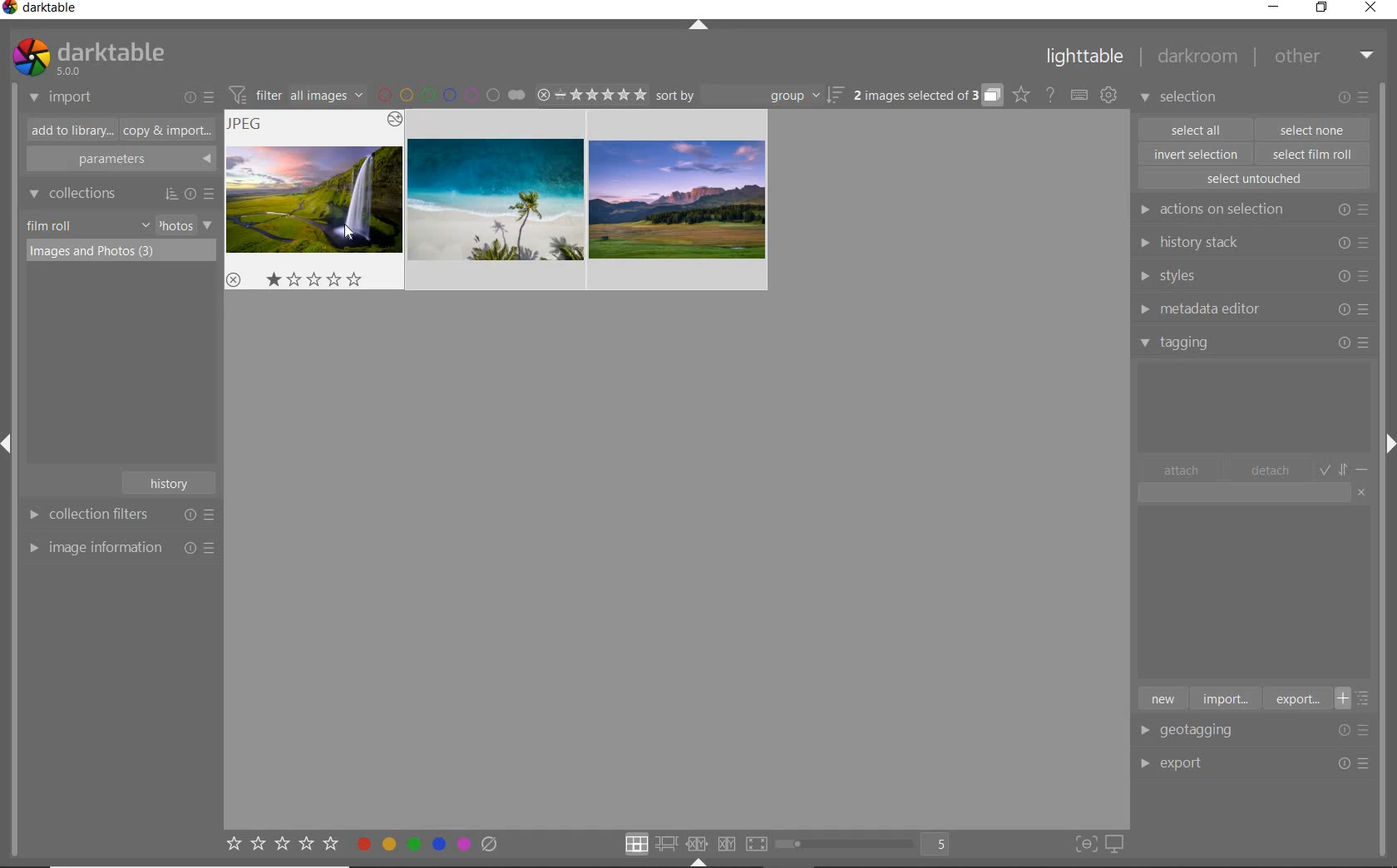 This screenshot has height=868, width=1397. What do you see at coordinates (281, 846) in the screenshot?
I see `set star rating for selected images` at bounding box center [281, 846].